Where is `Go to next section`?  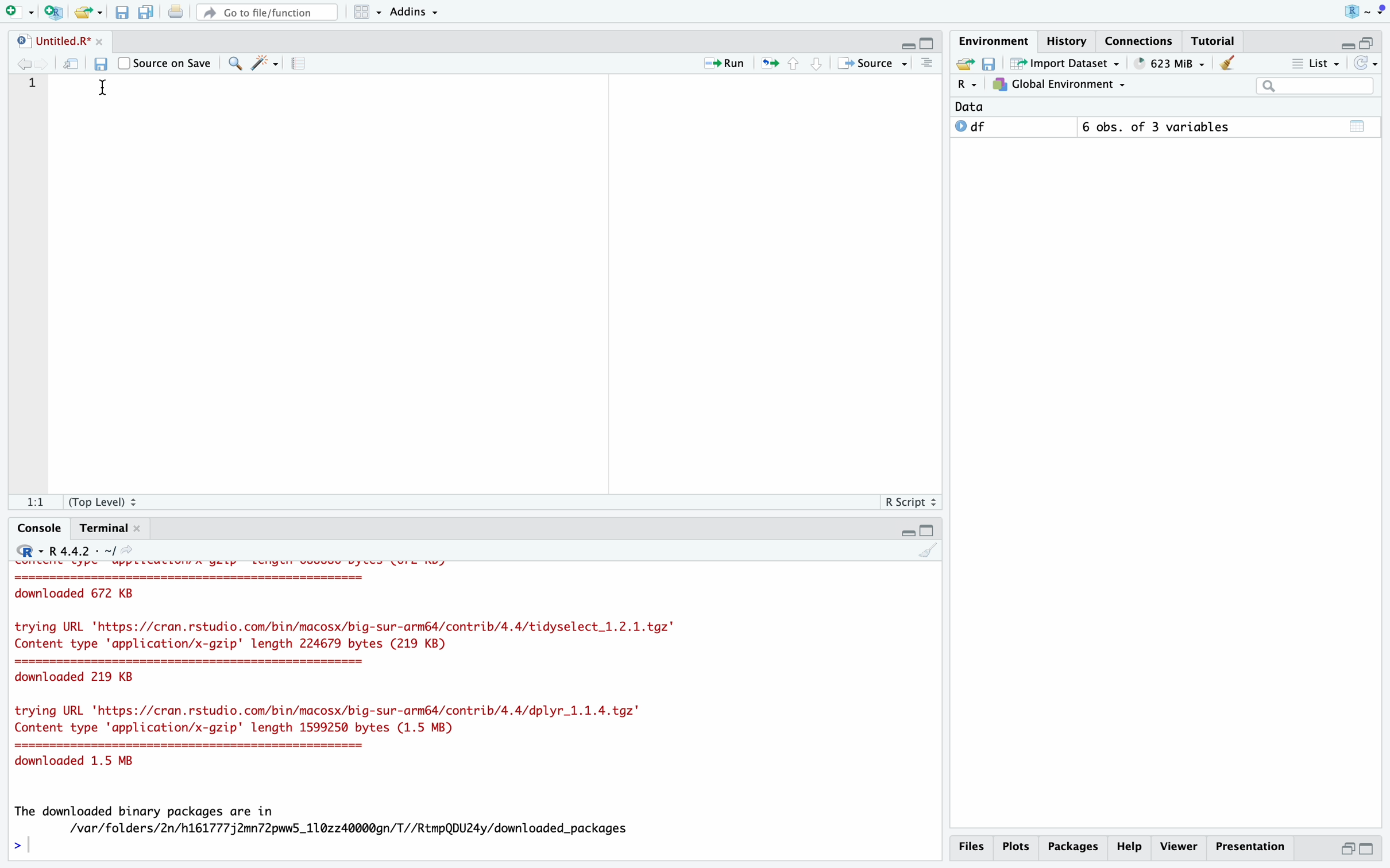 Go to next section is located at coordinates (816, 63).